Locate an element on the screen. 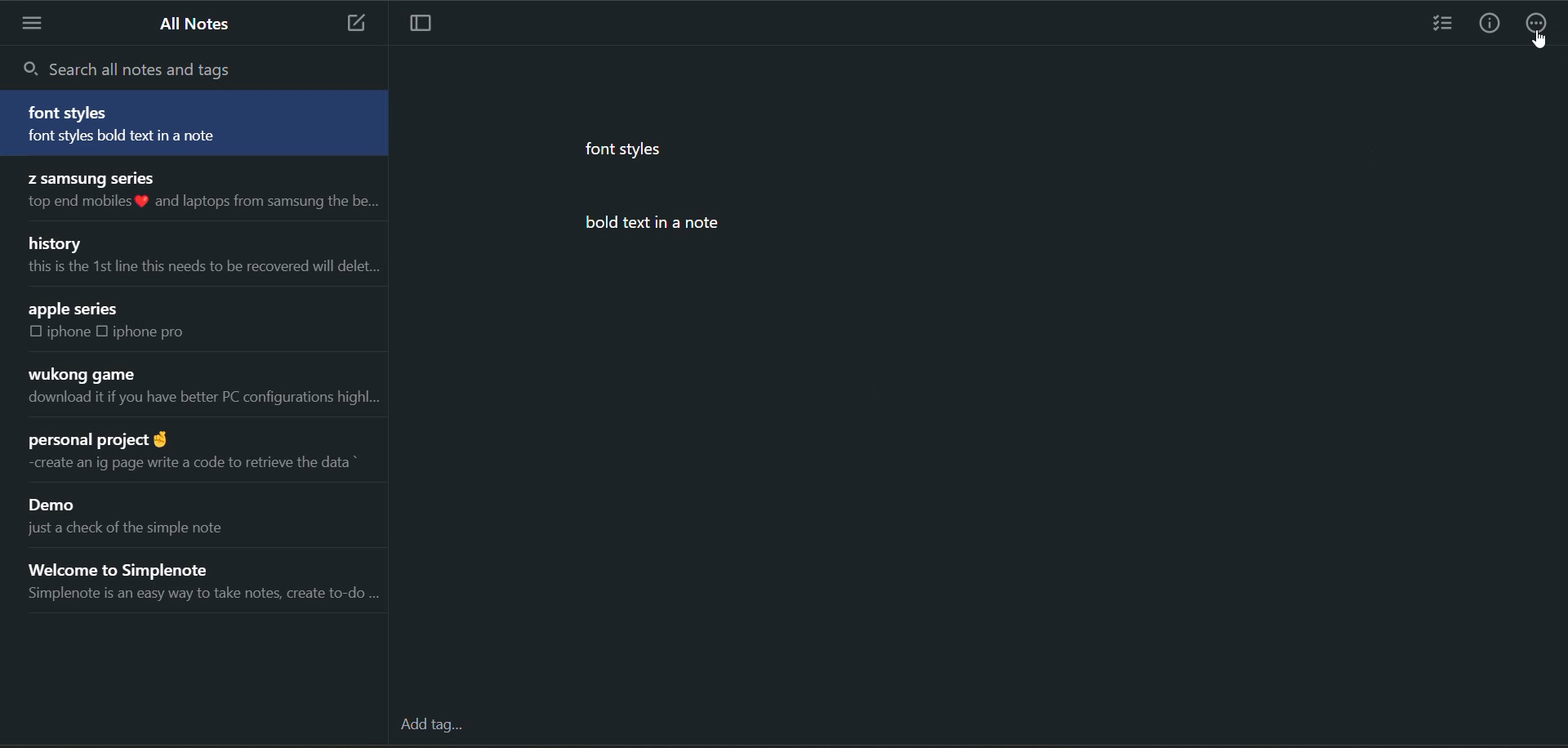  download it if you have better PC configurations highl... is located at coordinates (202, 401).